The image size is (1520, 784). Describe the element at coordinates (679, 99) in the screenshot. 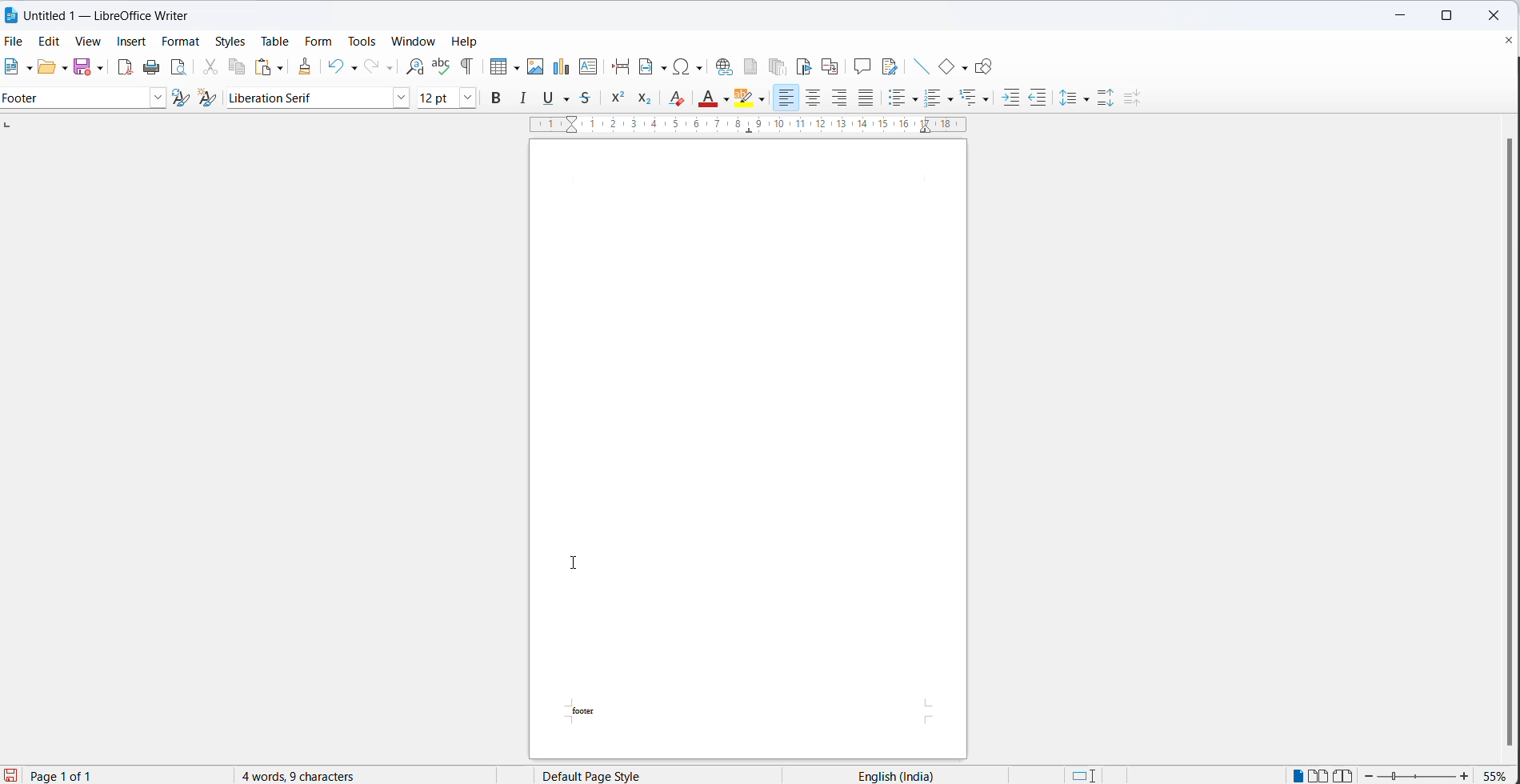

I see `clear direct formatting` at that location.